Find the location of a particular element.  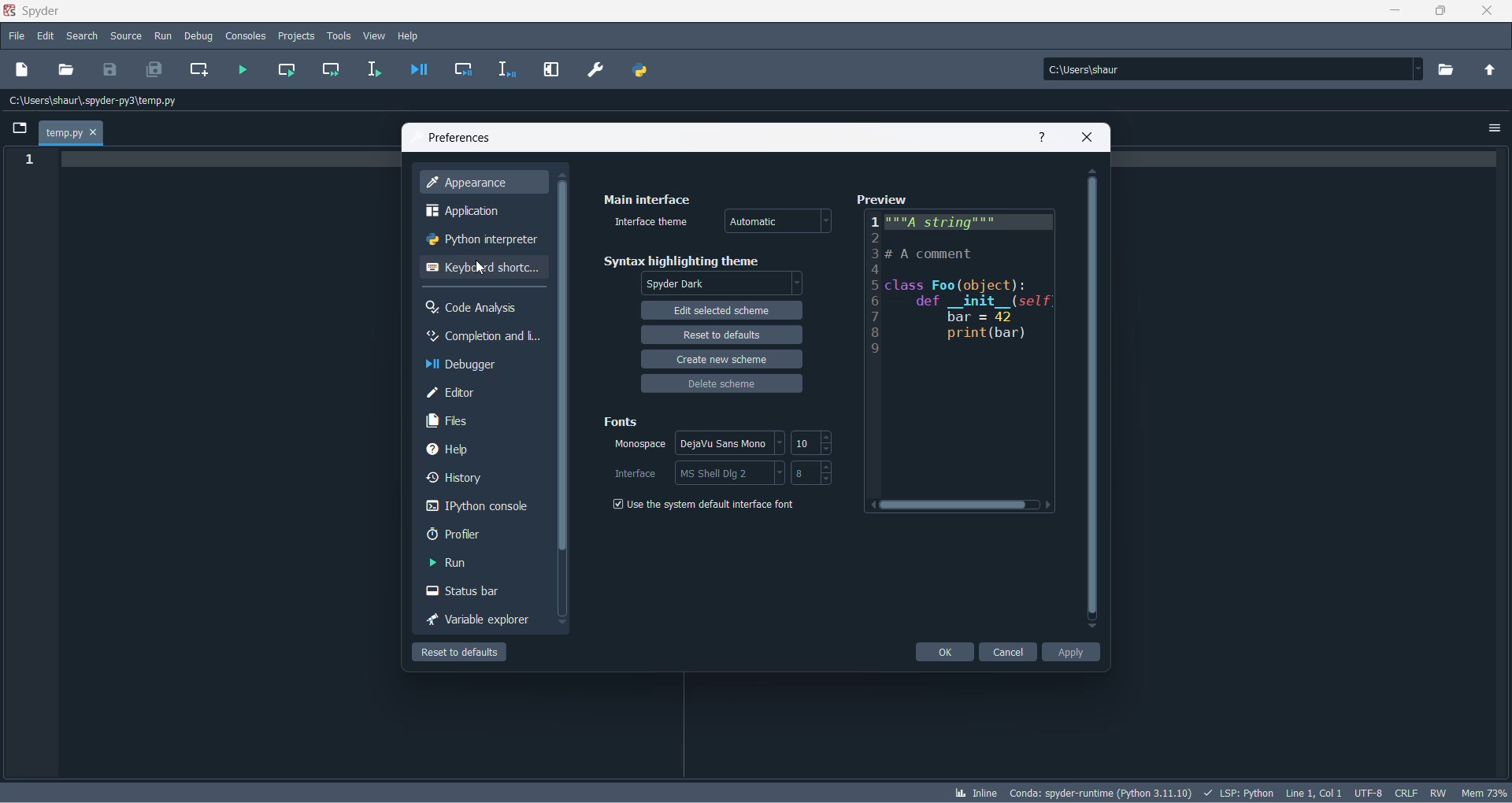

close is located at coordinates (1484, 15).